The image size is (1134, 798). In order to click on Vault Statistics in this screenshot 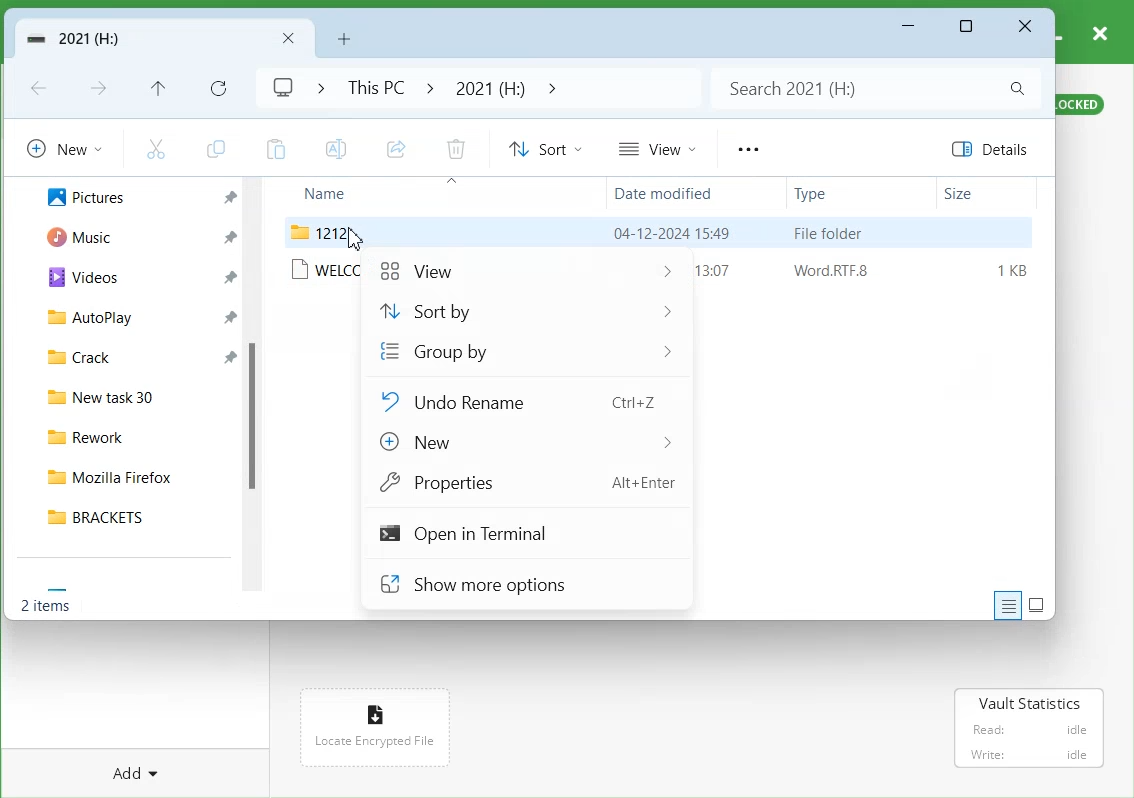, I will do `click(1030, 703)`.